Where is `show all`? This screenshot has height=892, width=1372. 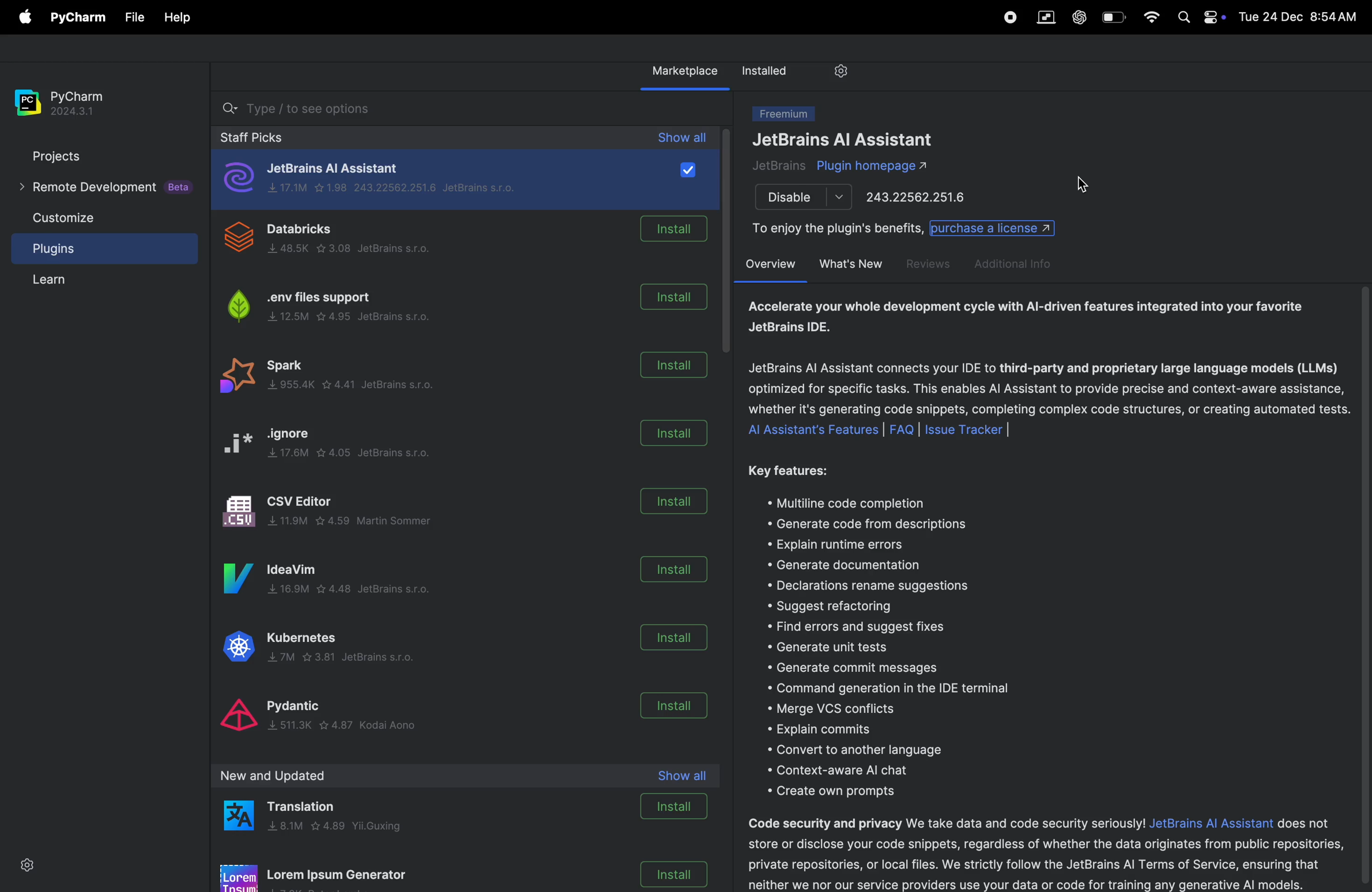 show all is located at coordinates (680, 783).